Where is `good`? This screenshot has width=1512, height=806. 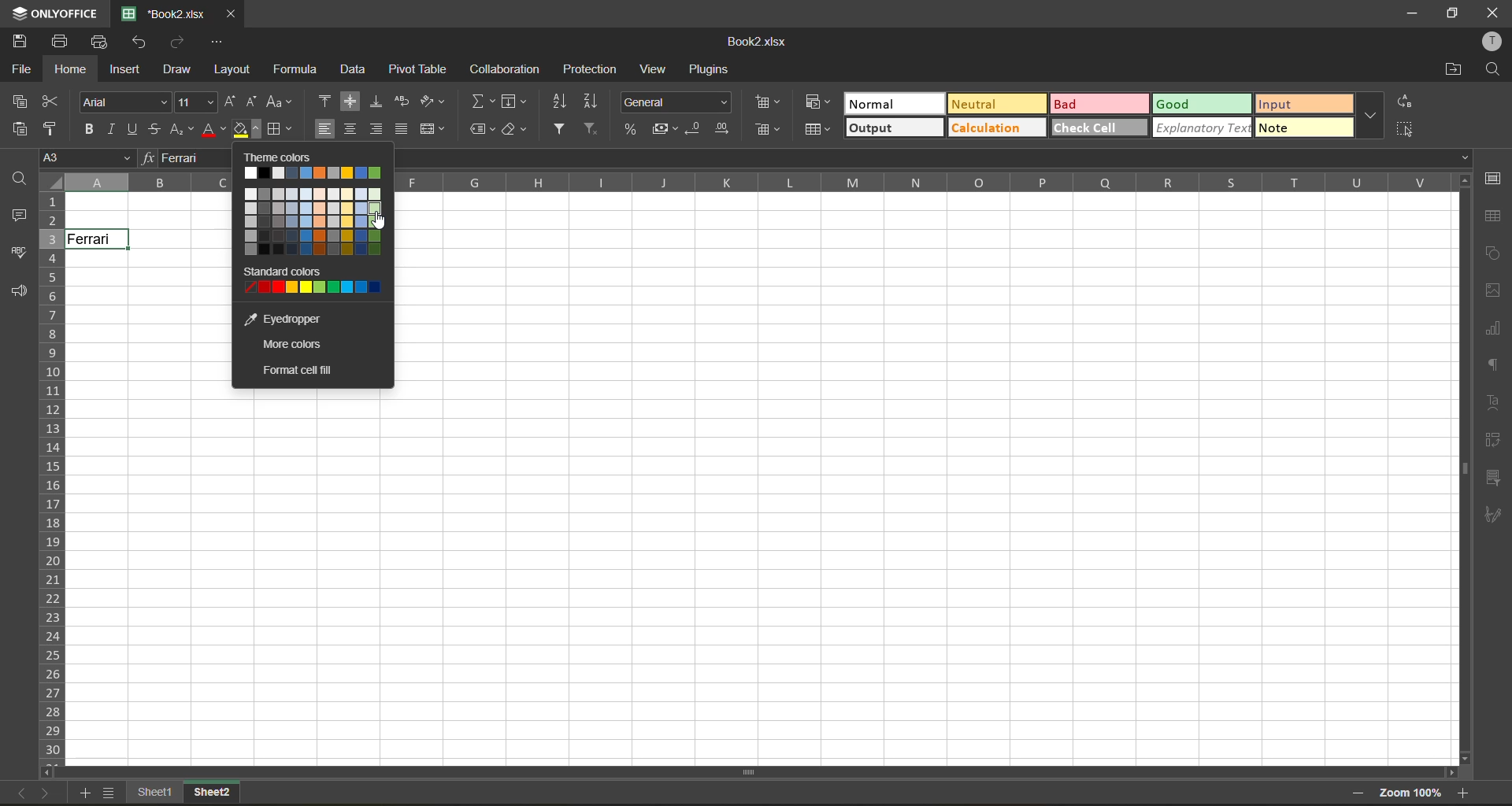
good is located at coordinates (1202, 102).